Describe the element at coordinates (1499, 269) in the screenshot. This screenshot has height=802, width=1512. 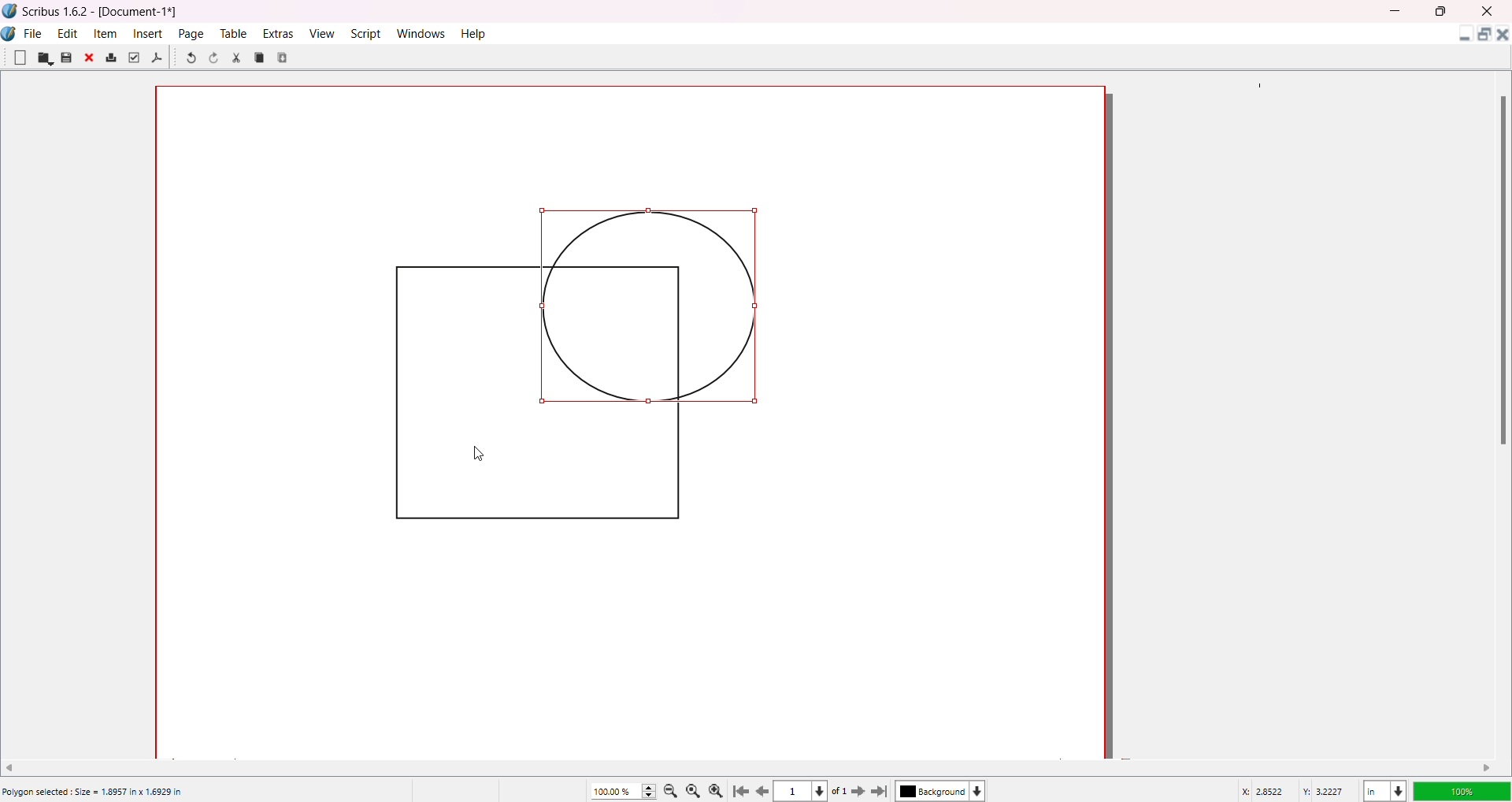
I see `Scroll Bar` at that location.